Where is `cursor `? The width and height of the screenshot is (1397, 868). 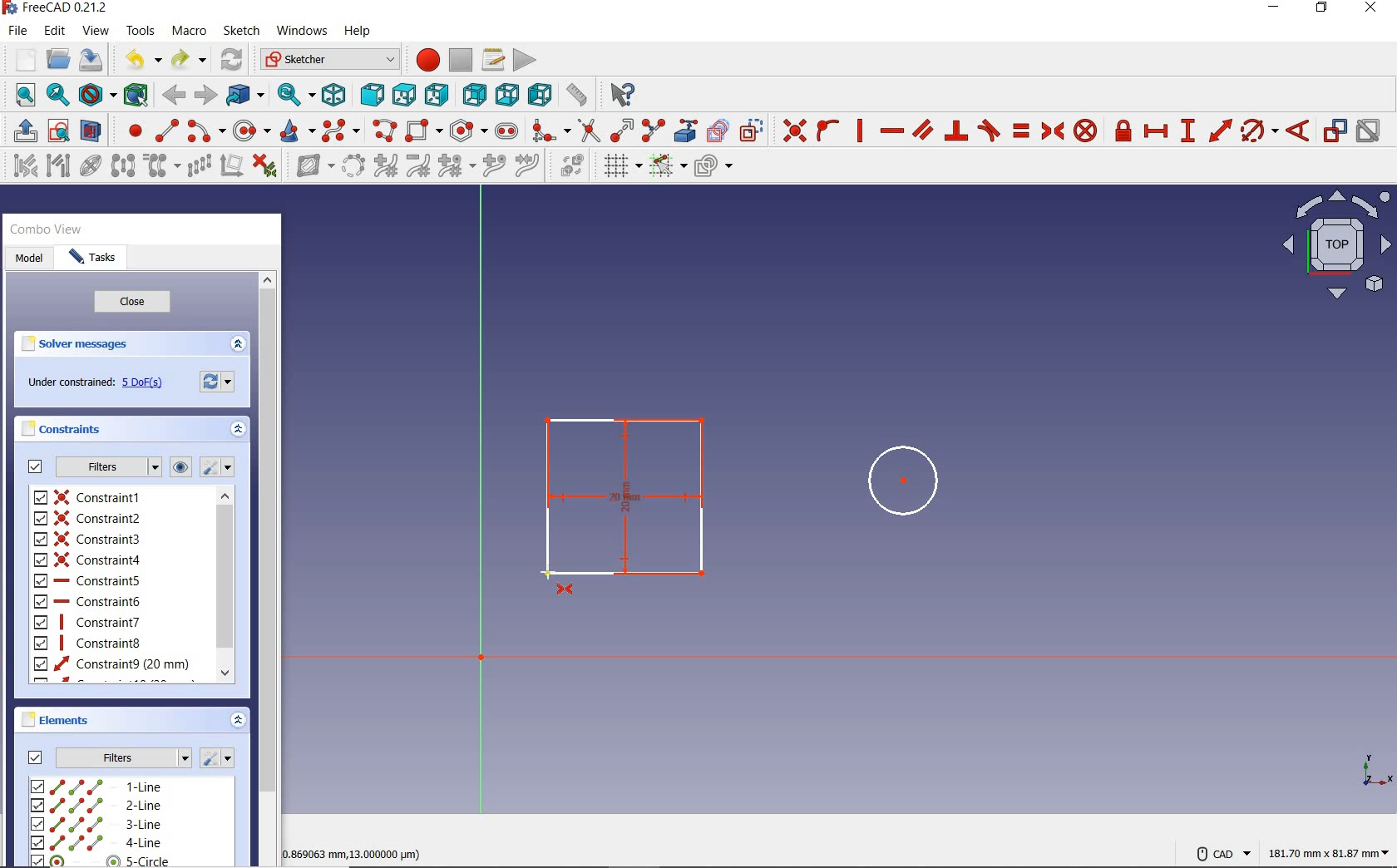 cursor  is located at coordinates (545, 572).